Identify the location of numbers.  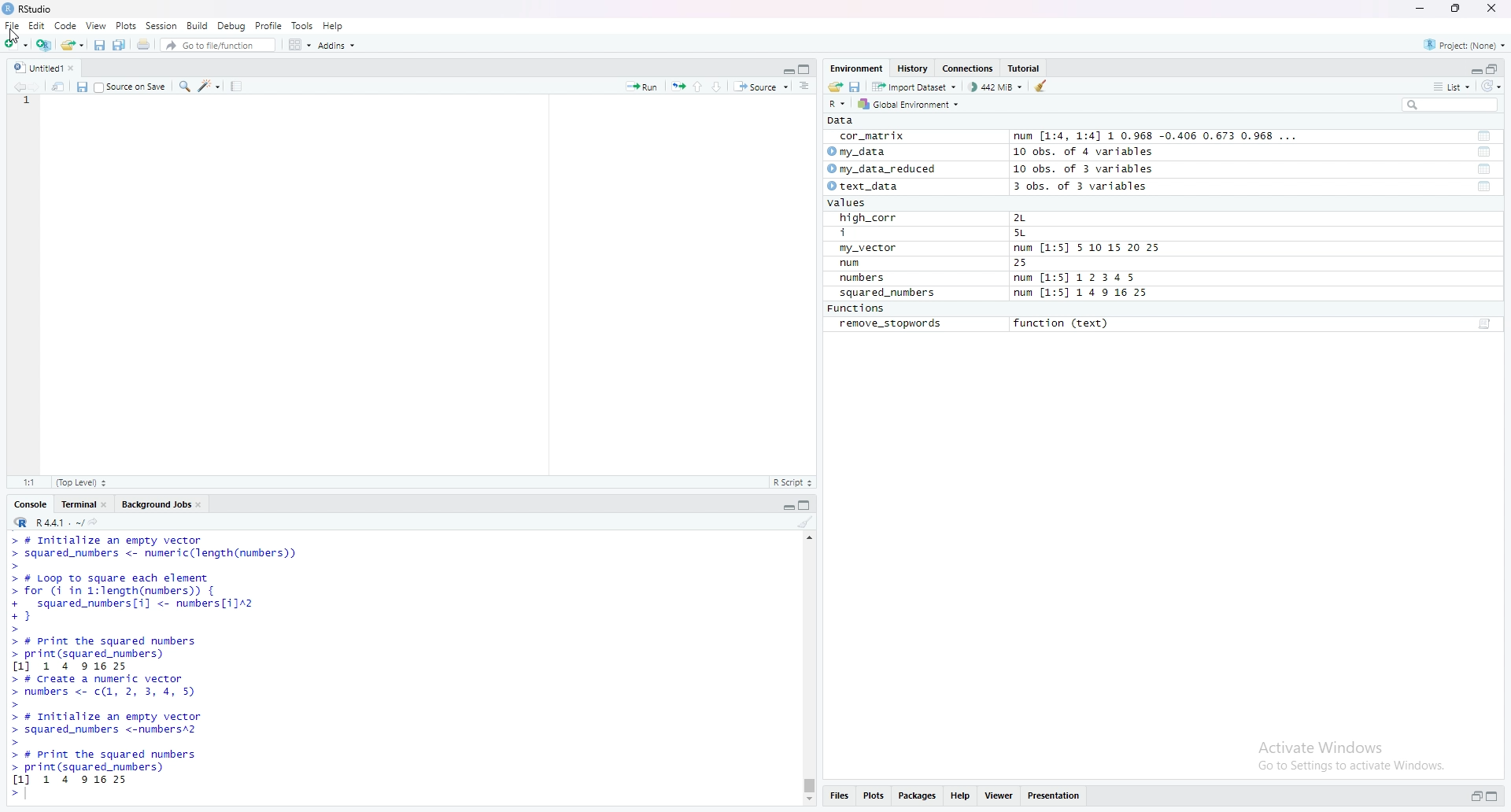
(866, 279).